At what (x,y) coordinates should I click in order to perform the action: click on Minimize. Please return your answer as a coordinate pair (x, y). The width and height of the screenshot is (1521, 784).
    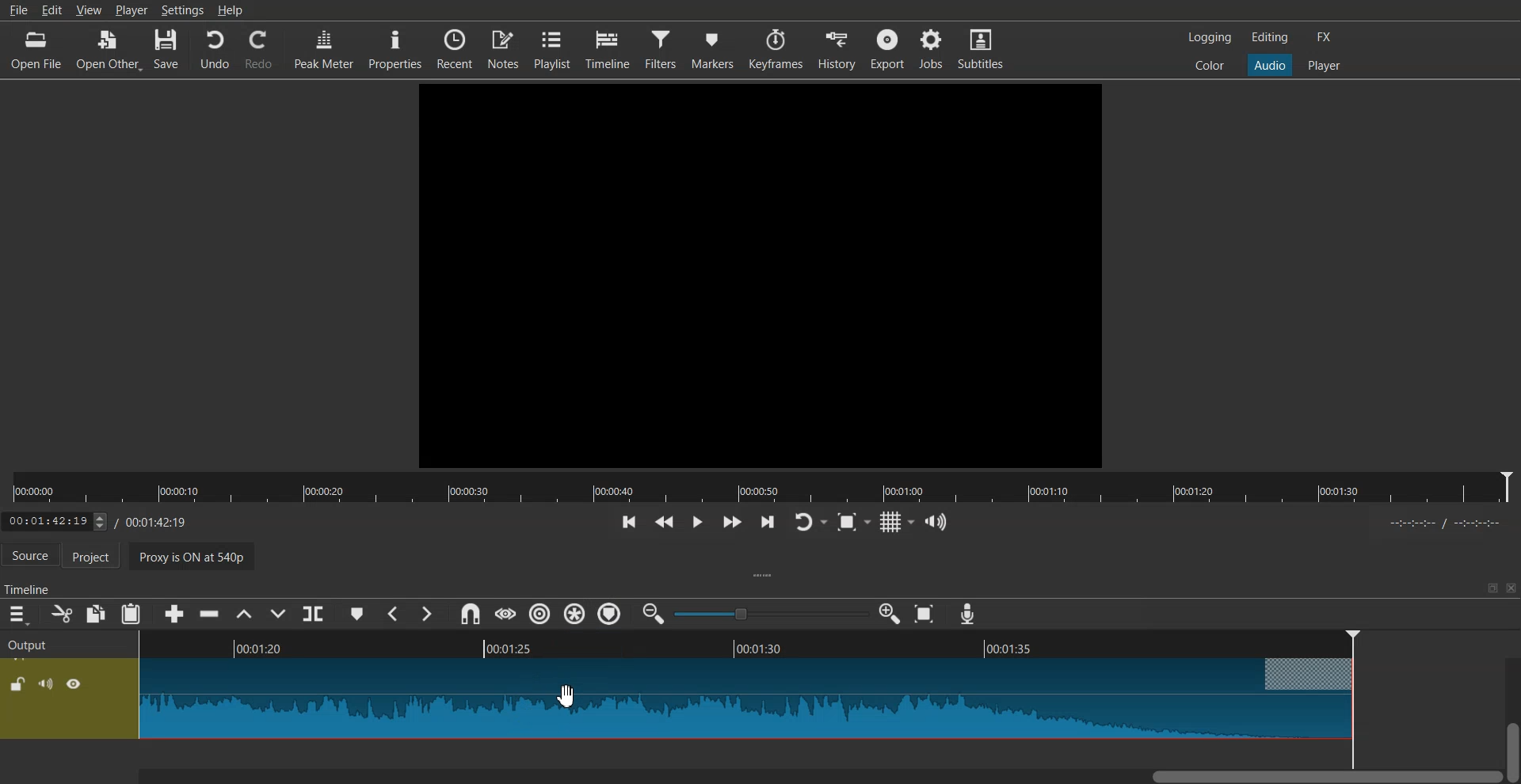
    Looking at the image, I should click on (1492, 588).